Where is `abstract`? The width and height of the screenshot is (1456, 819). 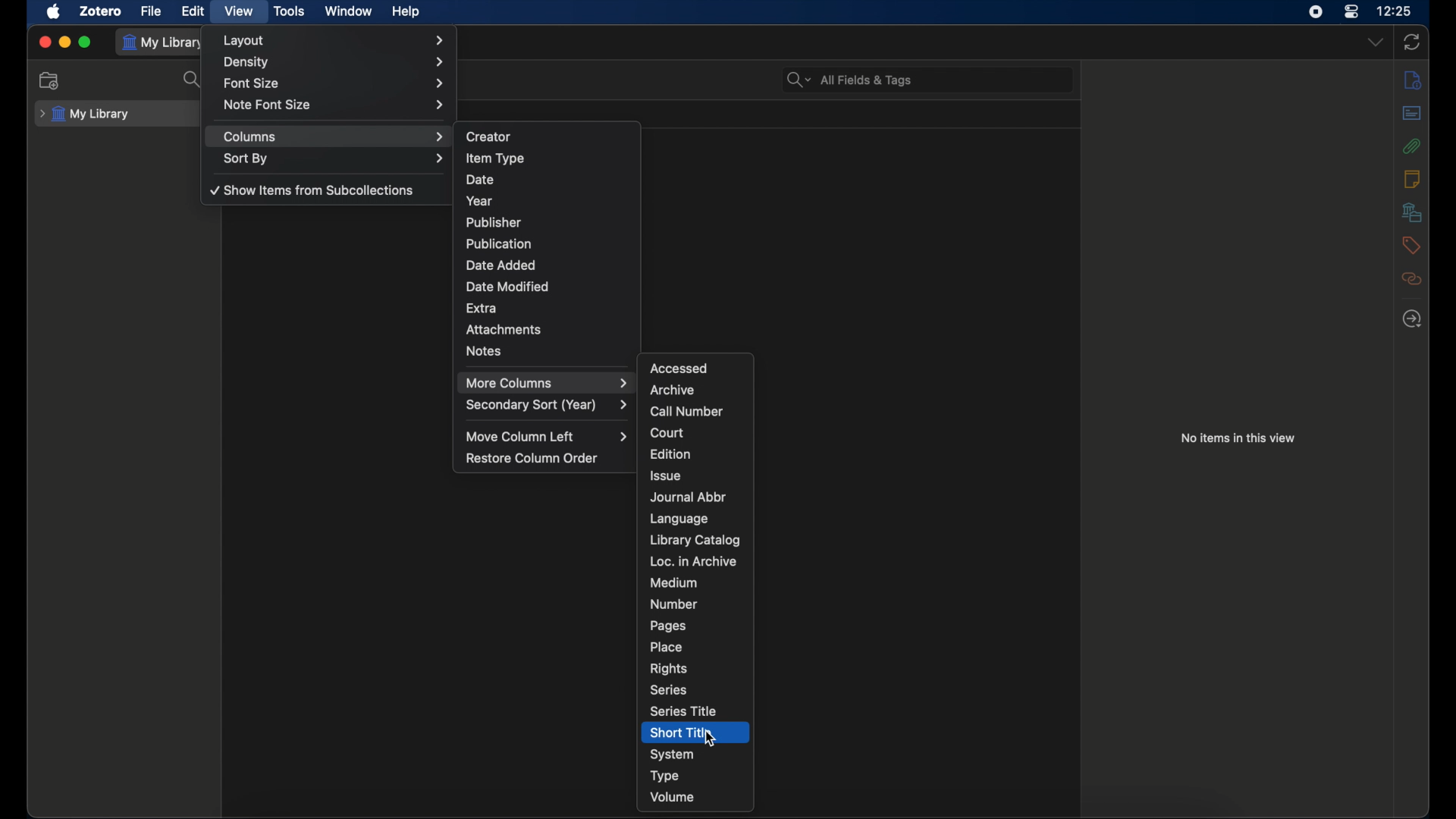 abstract is located at coordinates (1412, 112).